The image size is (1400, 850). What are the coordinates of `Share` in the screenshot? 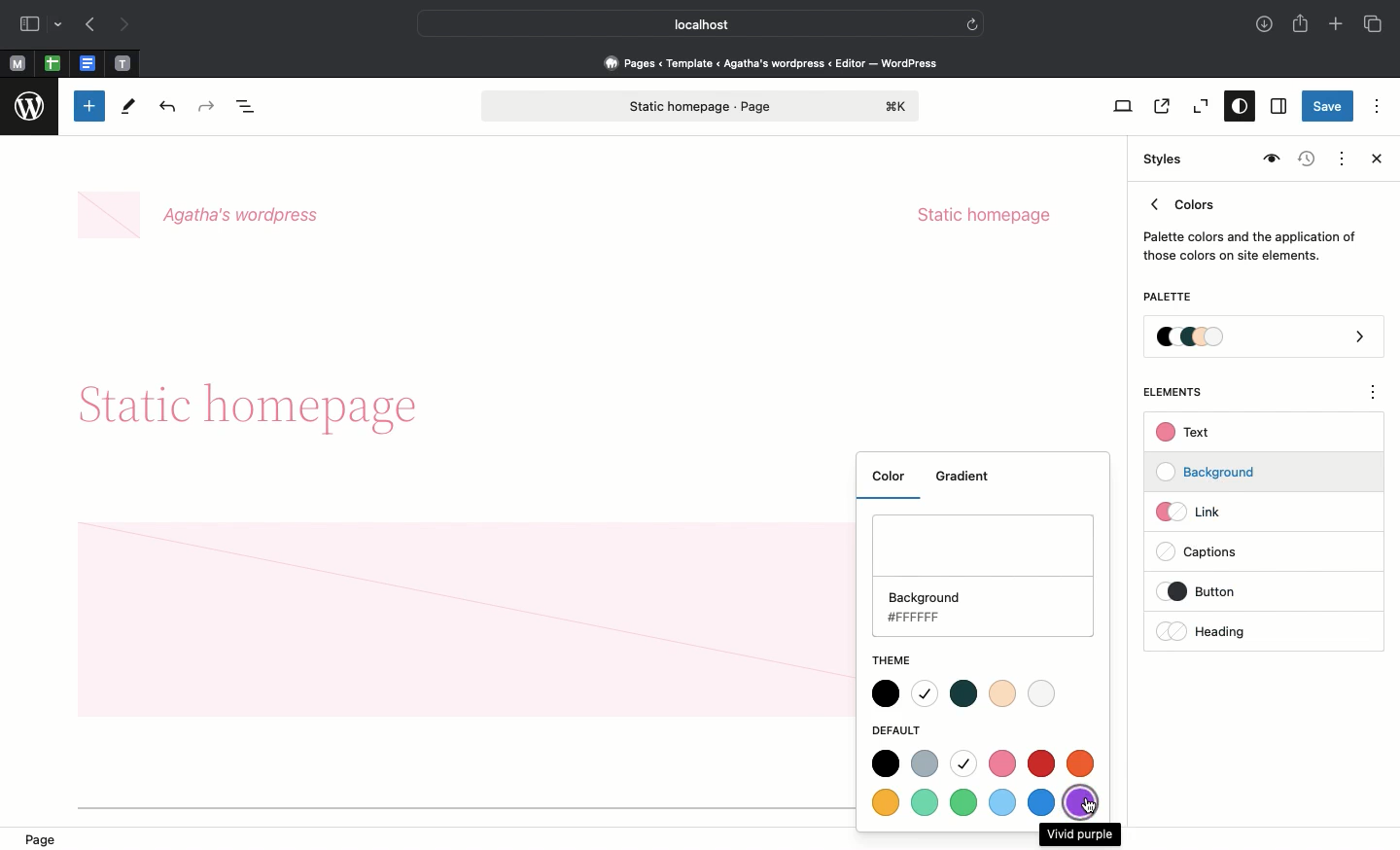 It's located at (1302, 23).